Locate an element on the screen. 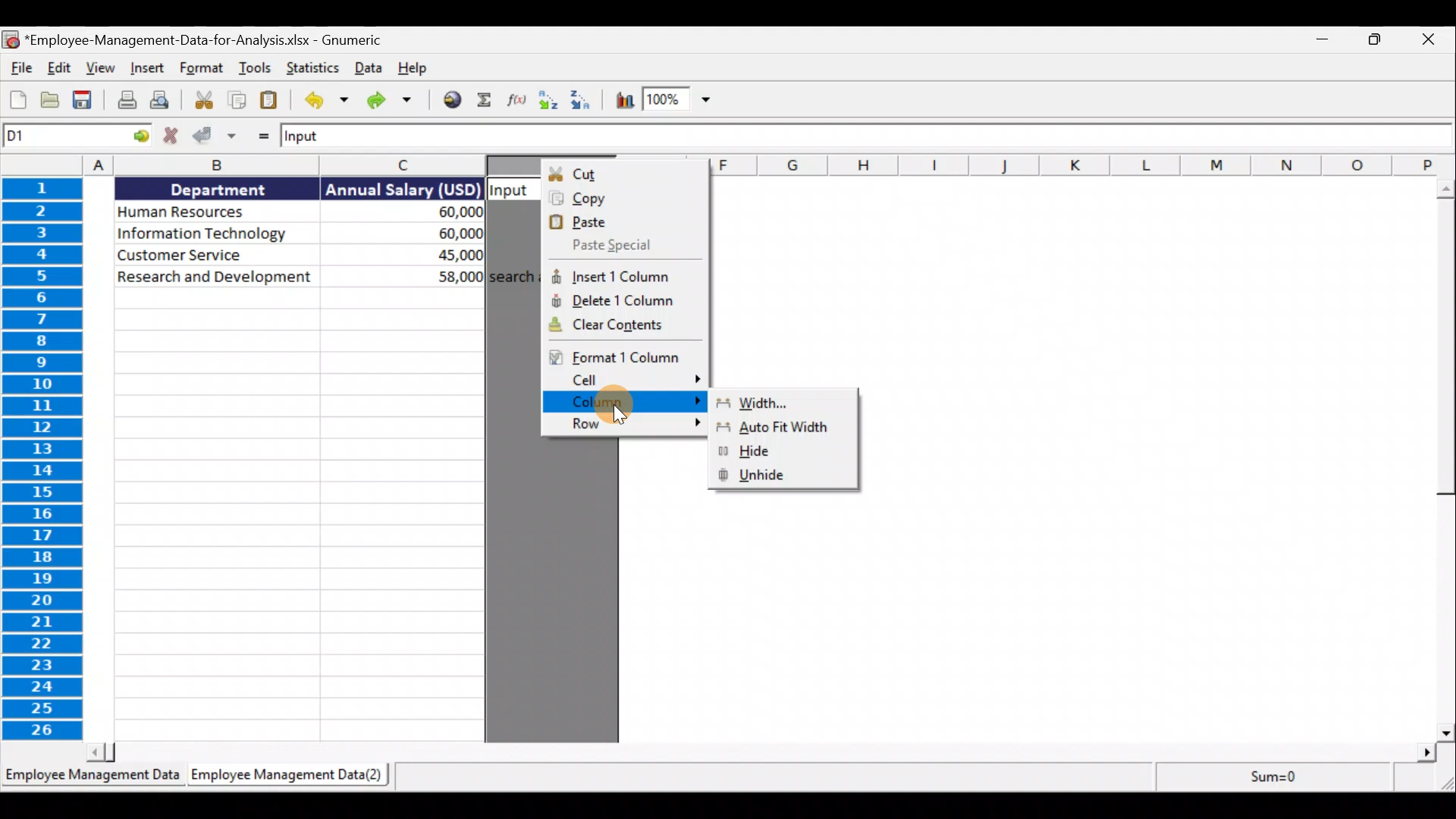 This screenshot has height=819, width=1456. Data is located at coordinates (325, 234).